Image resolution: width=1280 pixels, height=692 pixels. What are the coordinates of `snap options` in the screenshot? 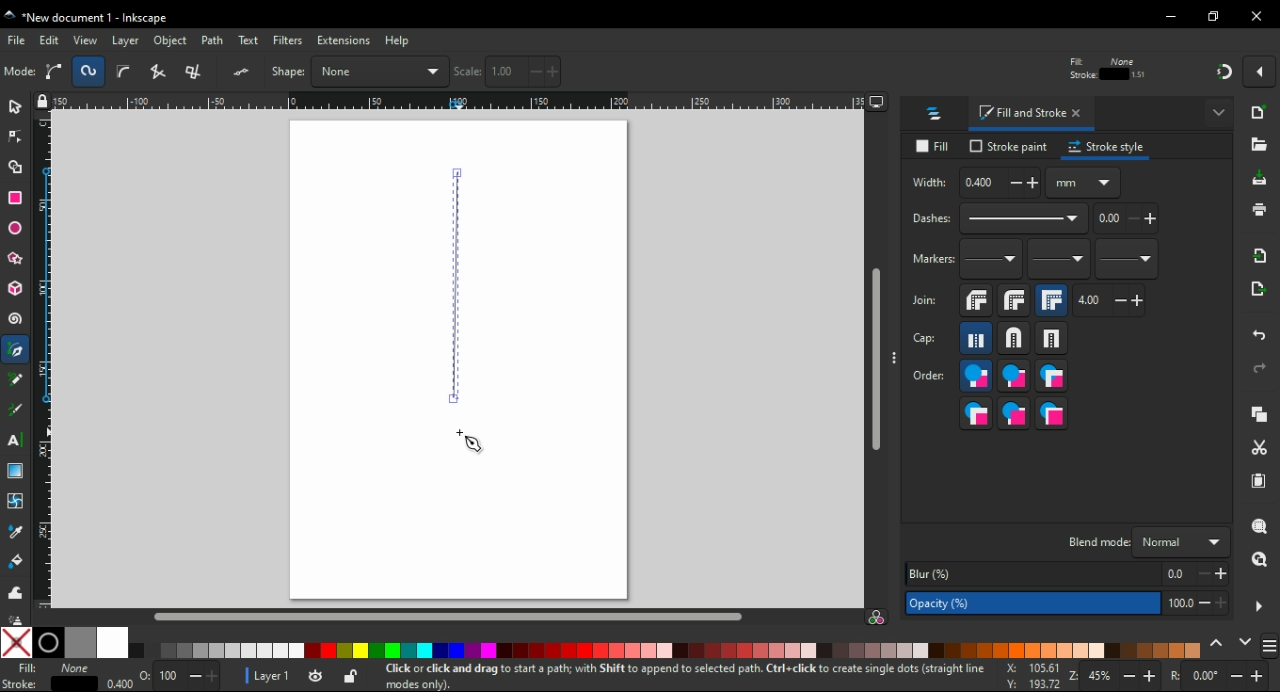 It's located at (1262, 70).